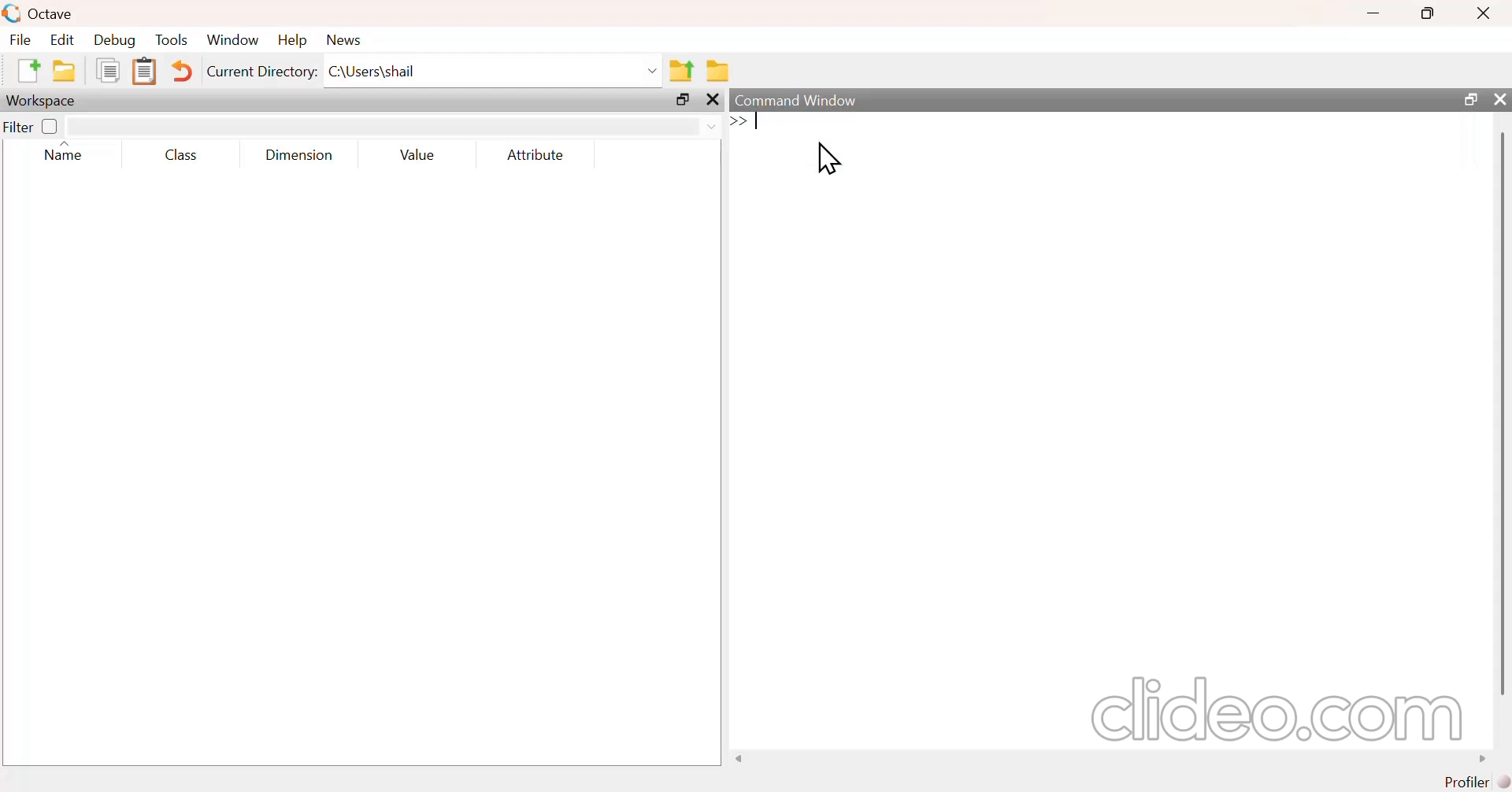 Image resolution: width=1512 pixels, height=792 pixels. I want to click on prompt cursor, so click(735, 122).